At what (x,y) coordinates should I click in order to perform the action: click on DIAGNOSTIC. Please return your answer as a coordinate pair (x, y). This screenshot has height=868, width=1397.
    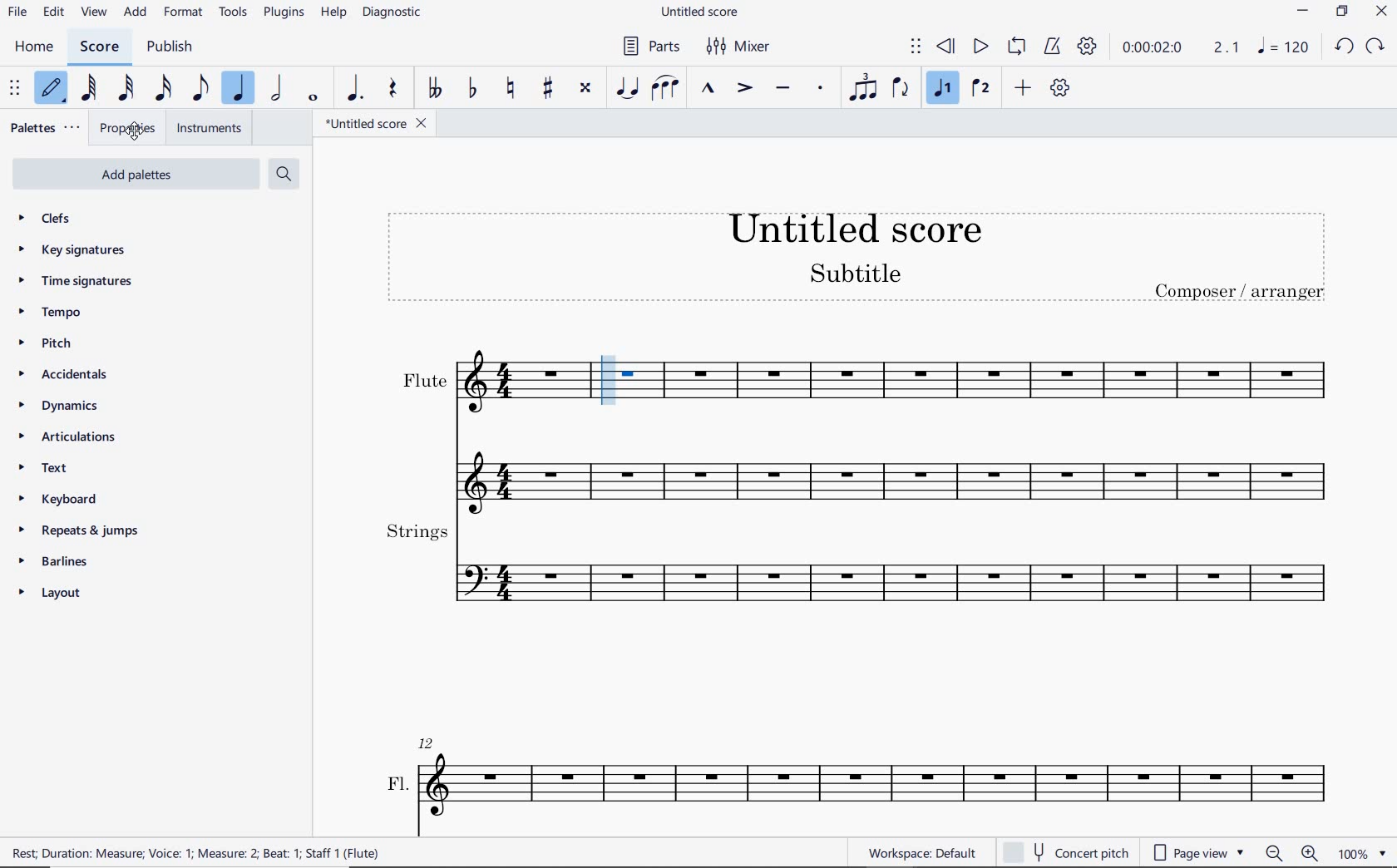
    Looking at the image, I should click on (394, 13).